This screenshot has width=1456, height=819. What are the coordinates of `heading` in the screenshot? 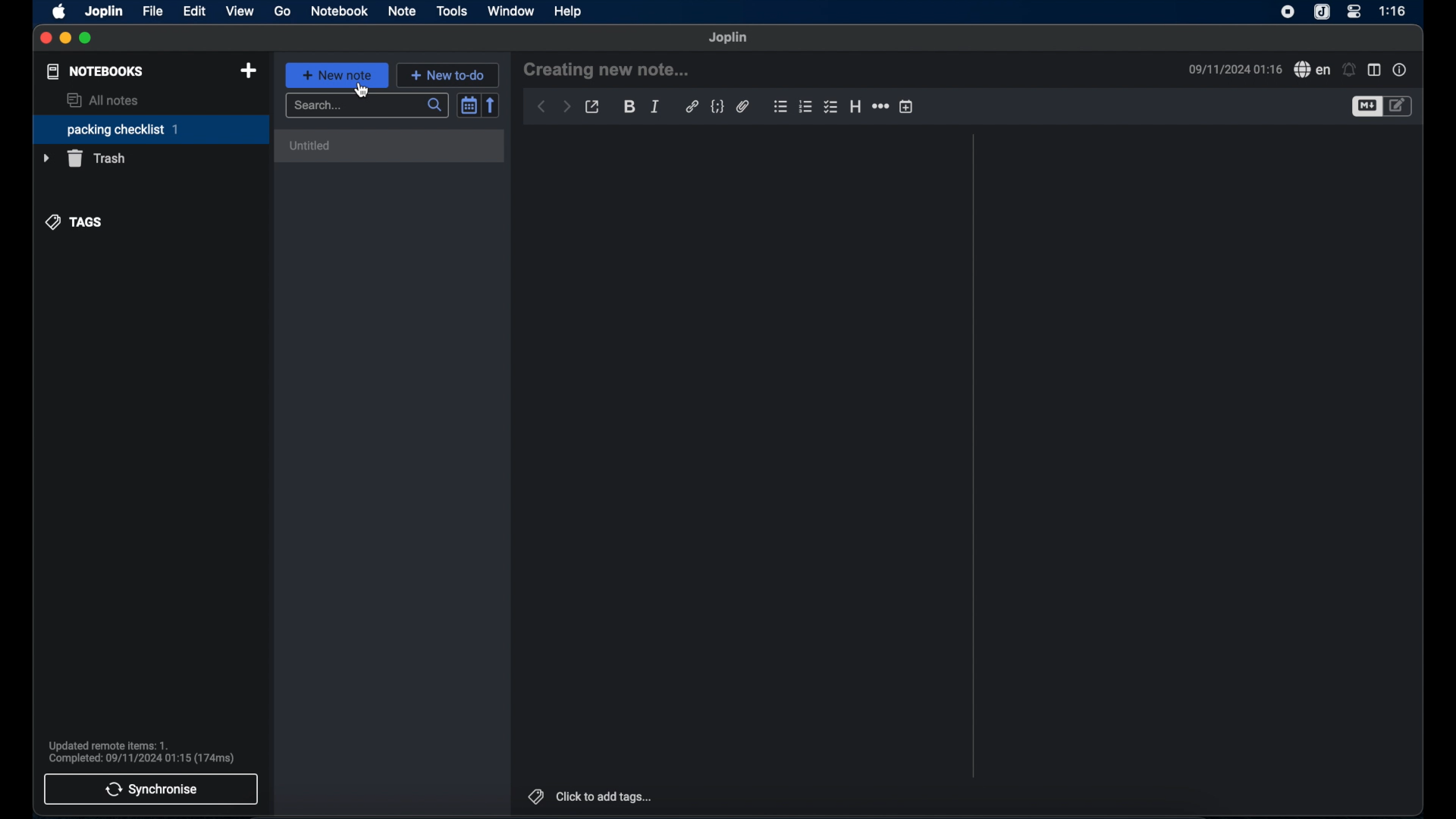 It's located at (855, 106).